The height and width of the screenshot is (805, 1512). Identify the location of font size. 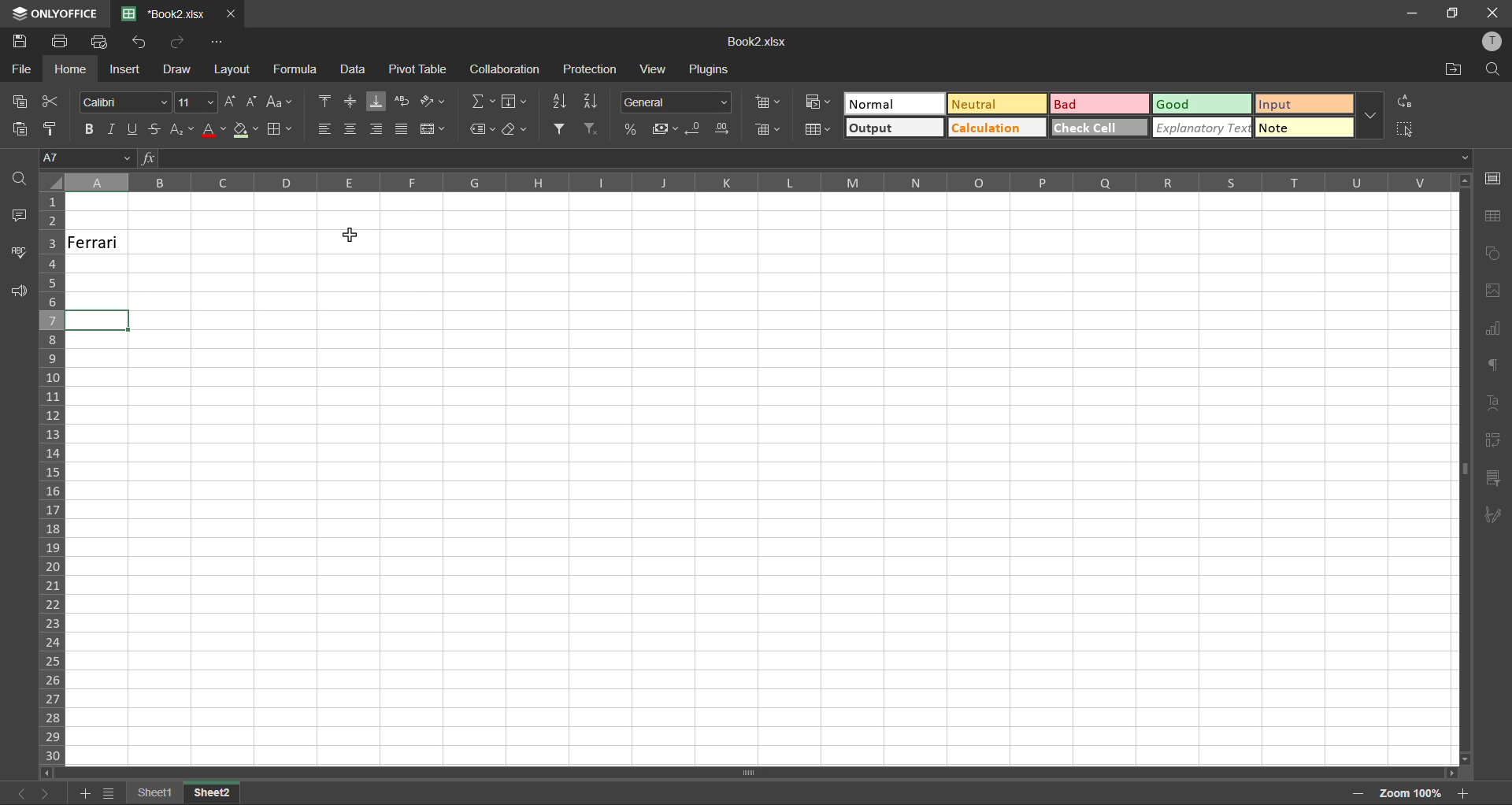
(196, 103).